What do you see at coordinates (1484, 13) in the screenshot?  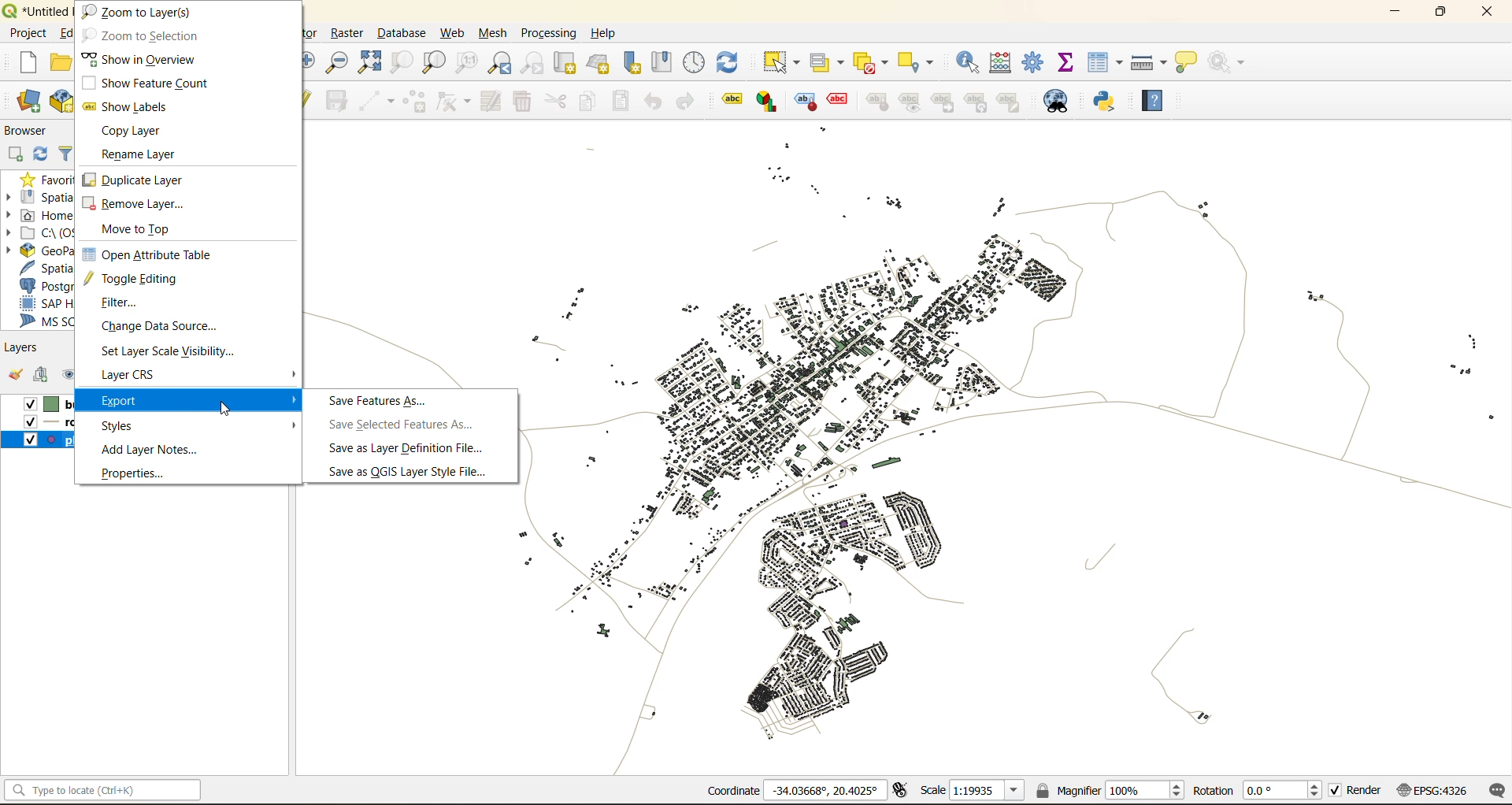 I see `close` at bounding box center [1484, 13].